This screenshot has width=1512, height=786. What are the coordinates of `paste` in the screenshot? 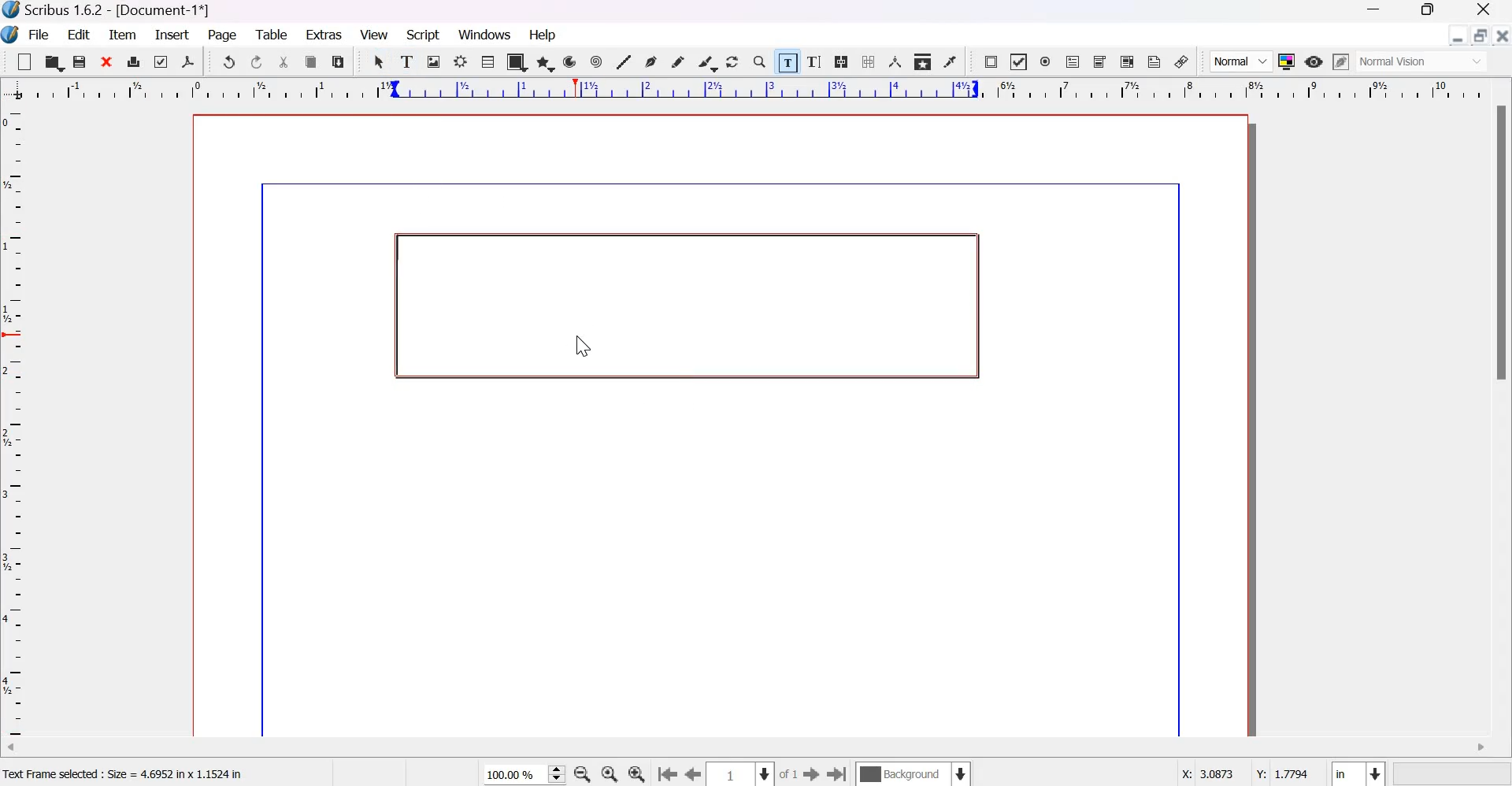 It's located at (339, 61).